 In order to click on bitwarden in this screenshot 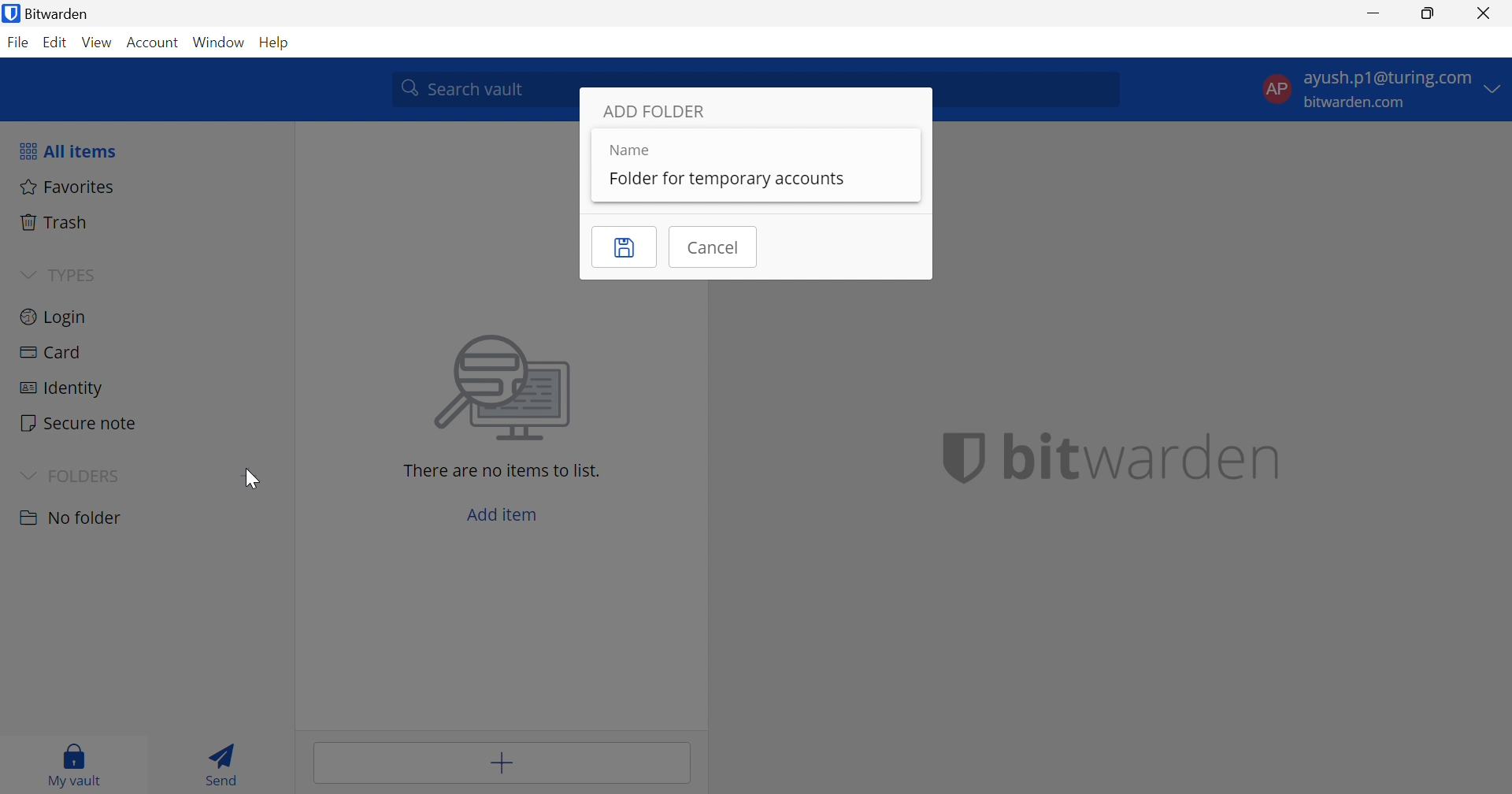, I will do `click(1144, 458)`.